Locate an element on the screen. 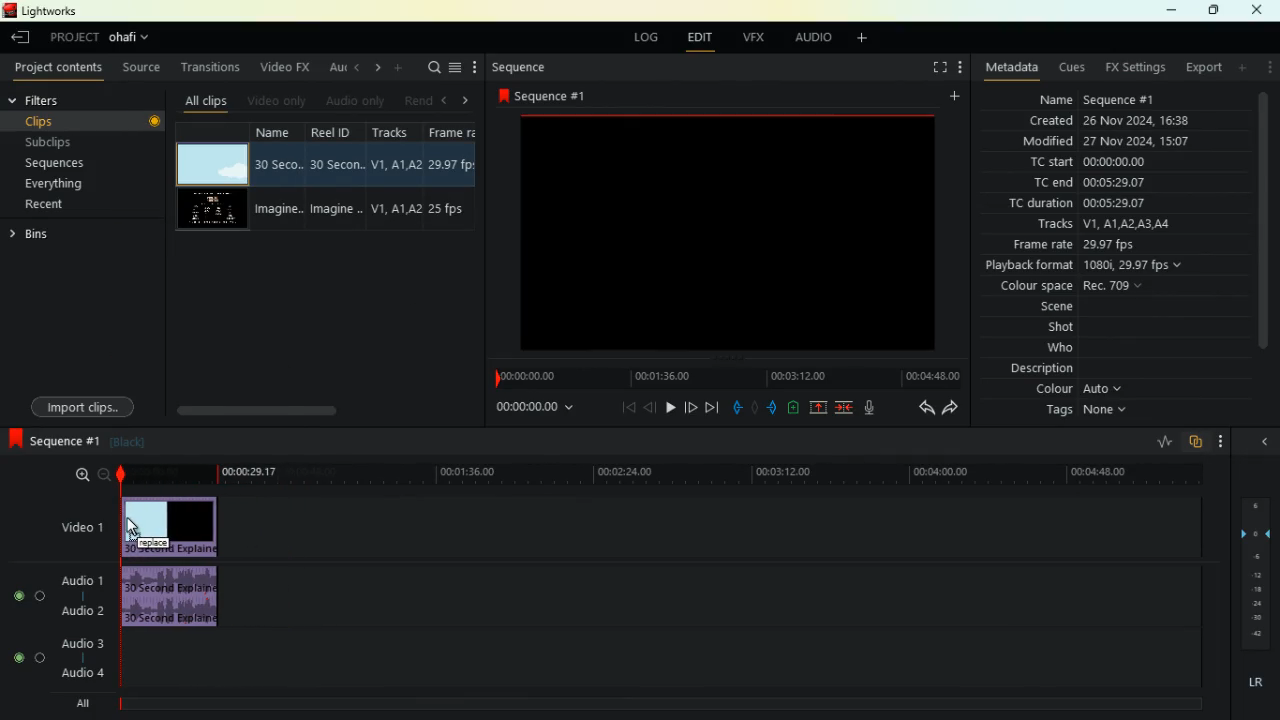 The width and height of the screenshot is (1280, 720). import clips is located at coordinates (78, 406).